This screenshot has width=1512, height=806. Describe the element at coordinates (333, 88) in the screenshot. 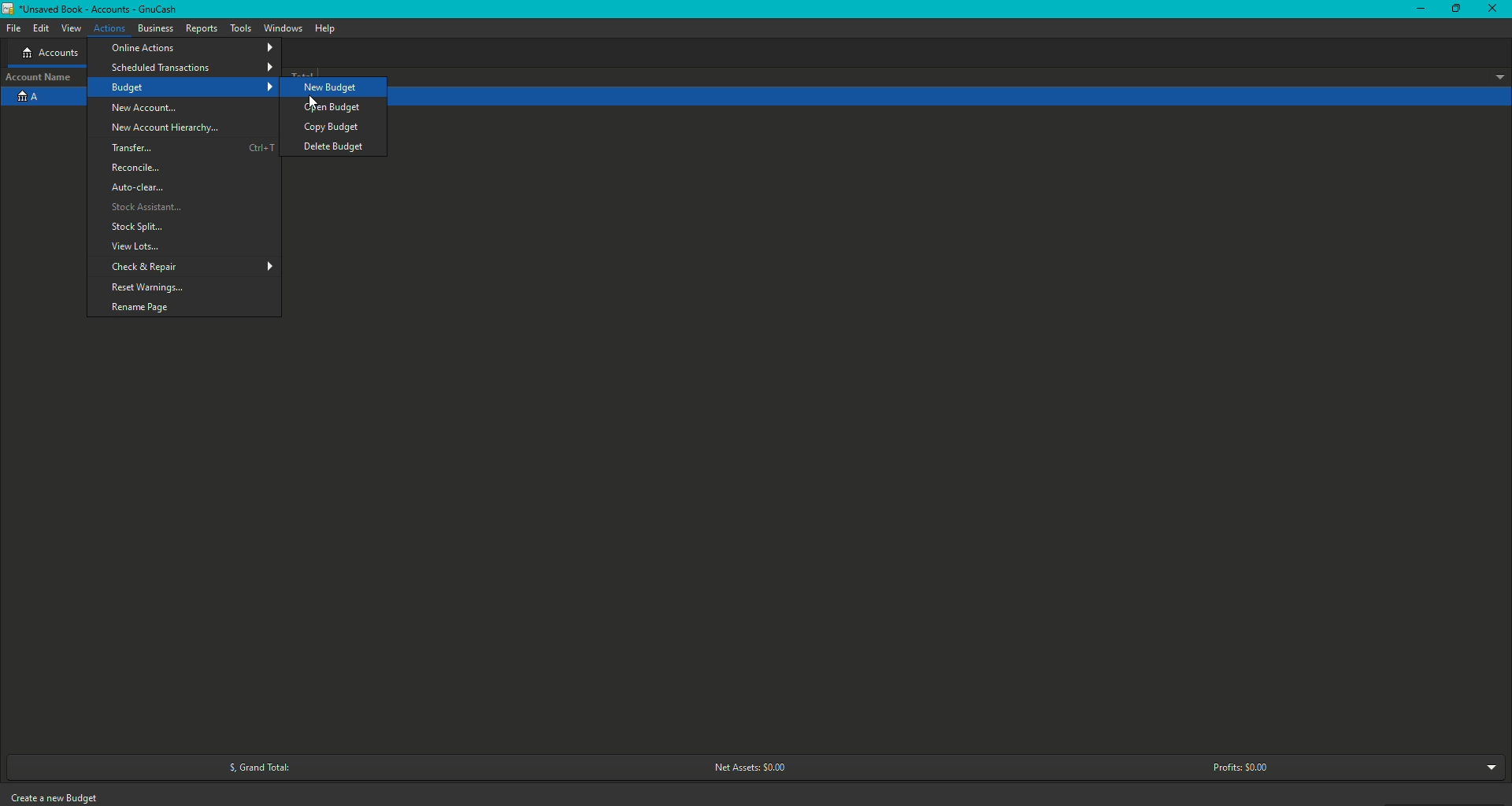

I see `New Budget` at that location.